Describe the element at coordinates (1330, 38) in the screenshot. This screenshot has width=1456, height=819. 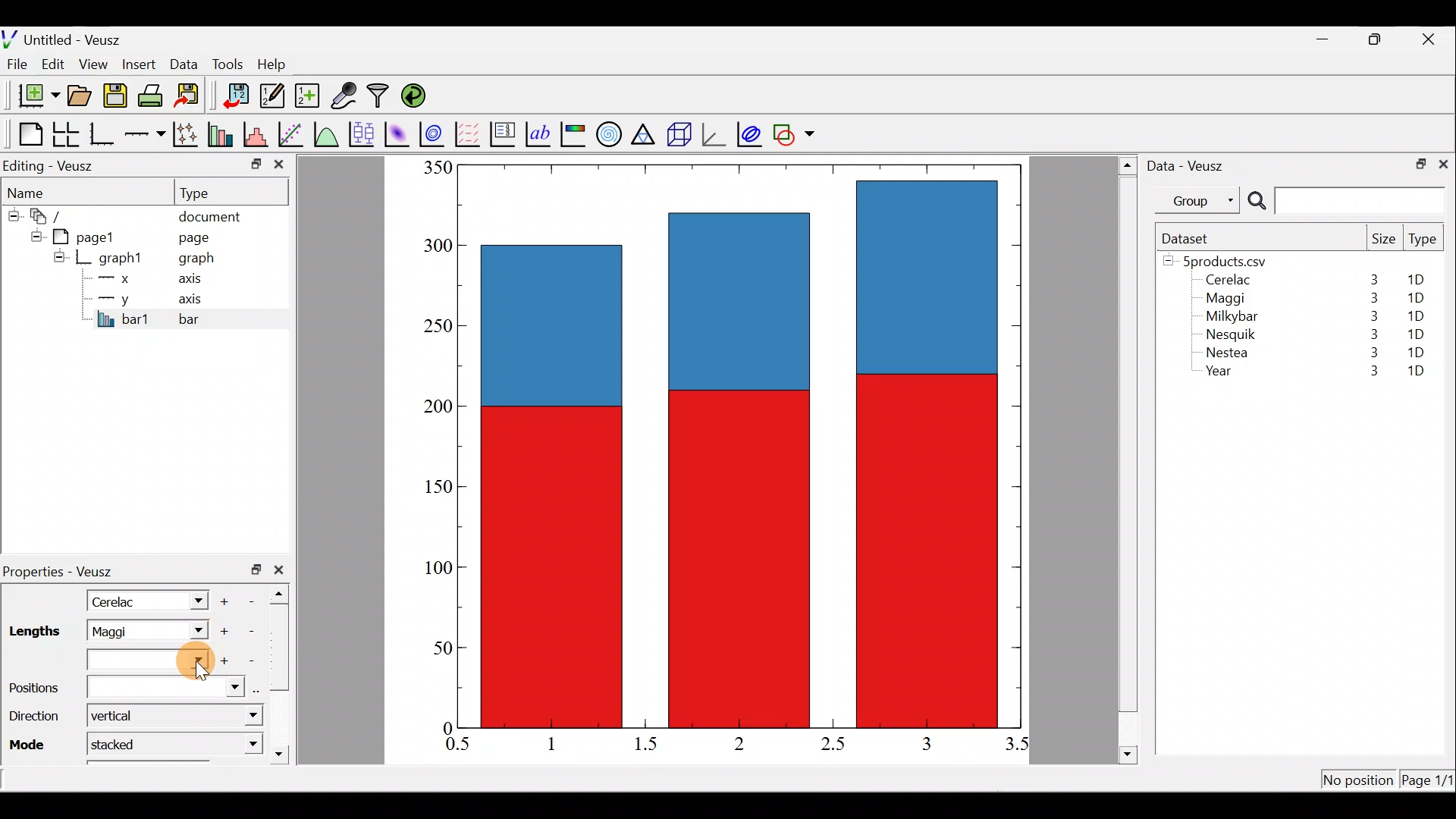
I see `minimize` at that location.